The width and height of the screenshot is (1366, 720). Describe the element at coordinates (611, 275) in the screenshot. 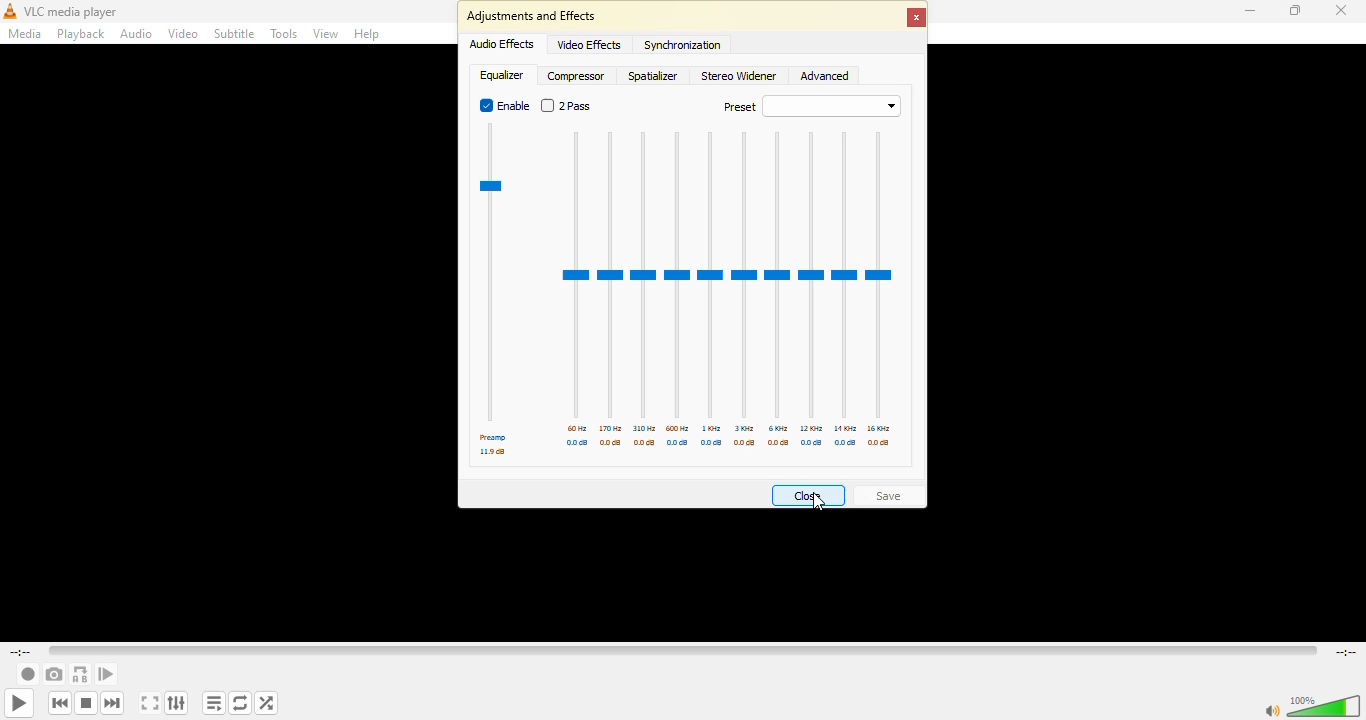

I see `adjustor` at that location.